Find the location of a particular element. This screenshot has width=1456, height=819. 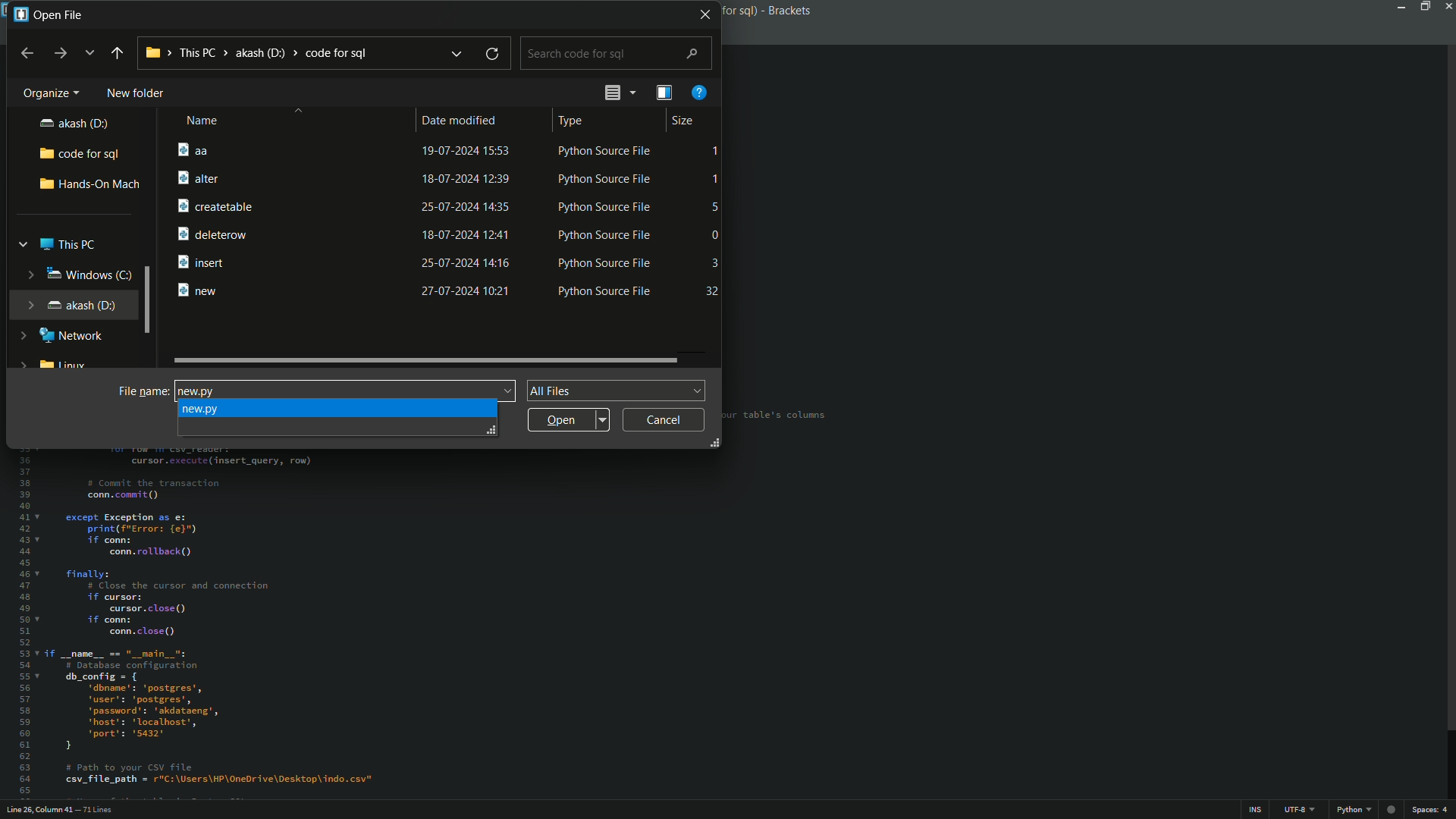

Python Source File is located at coordinates (605, 207).